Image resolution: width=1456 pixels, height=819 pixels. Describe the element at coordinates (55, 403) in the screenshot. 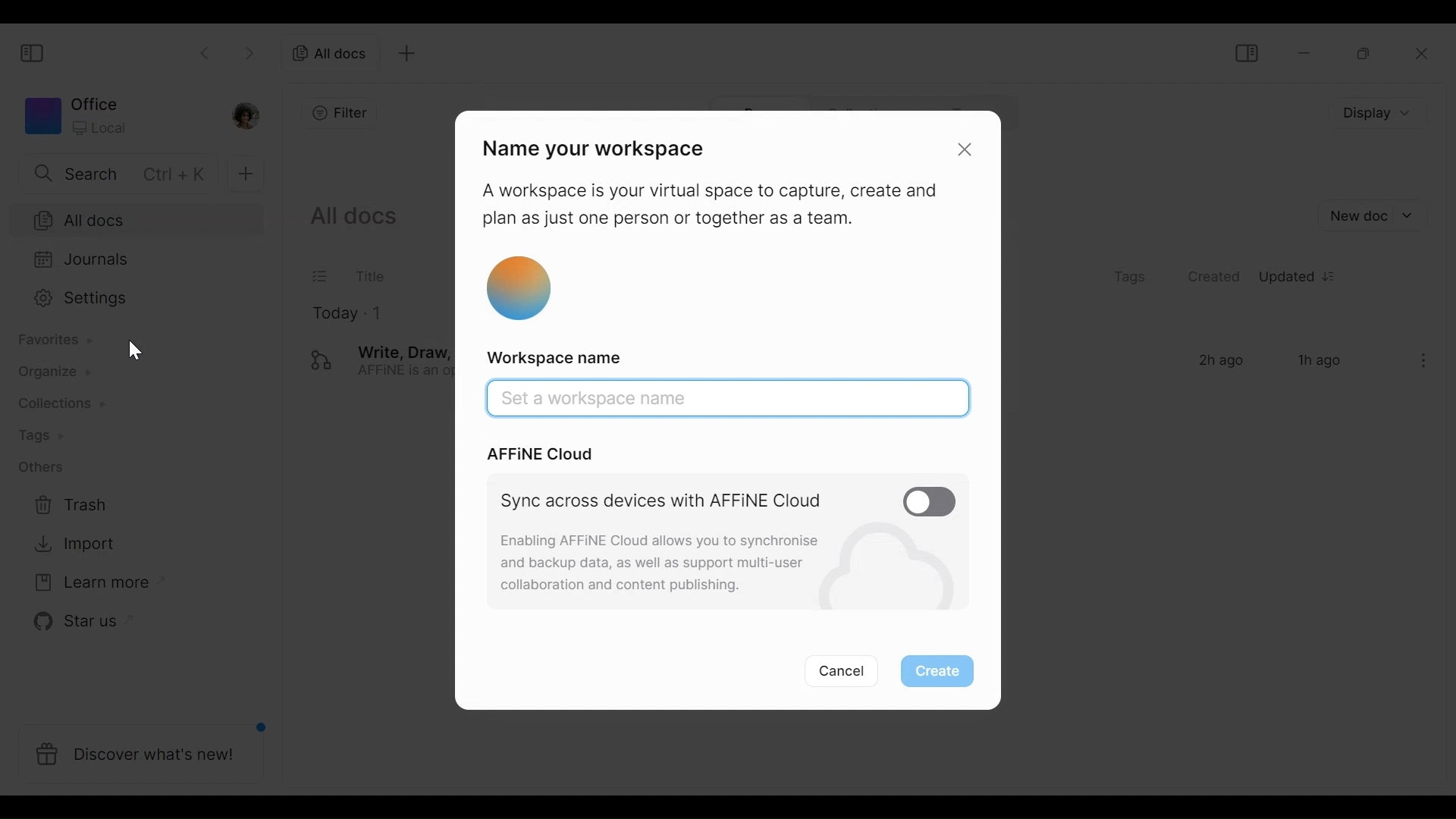

I see `Contributions` at that location.